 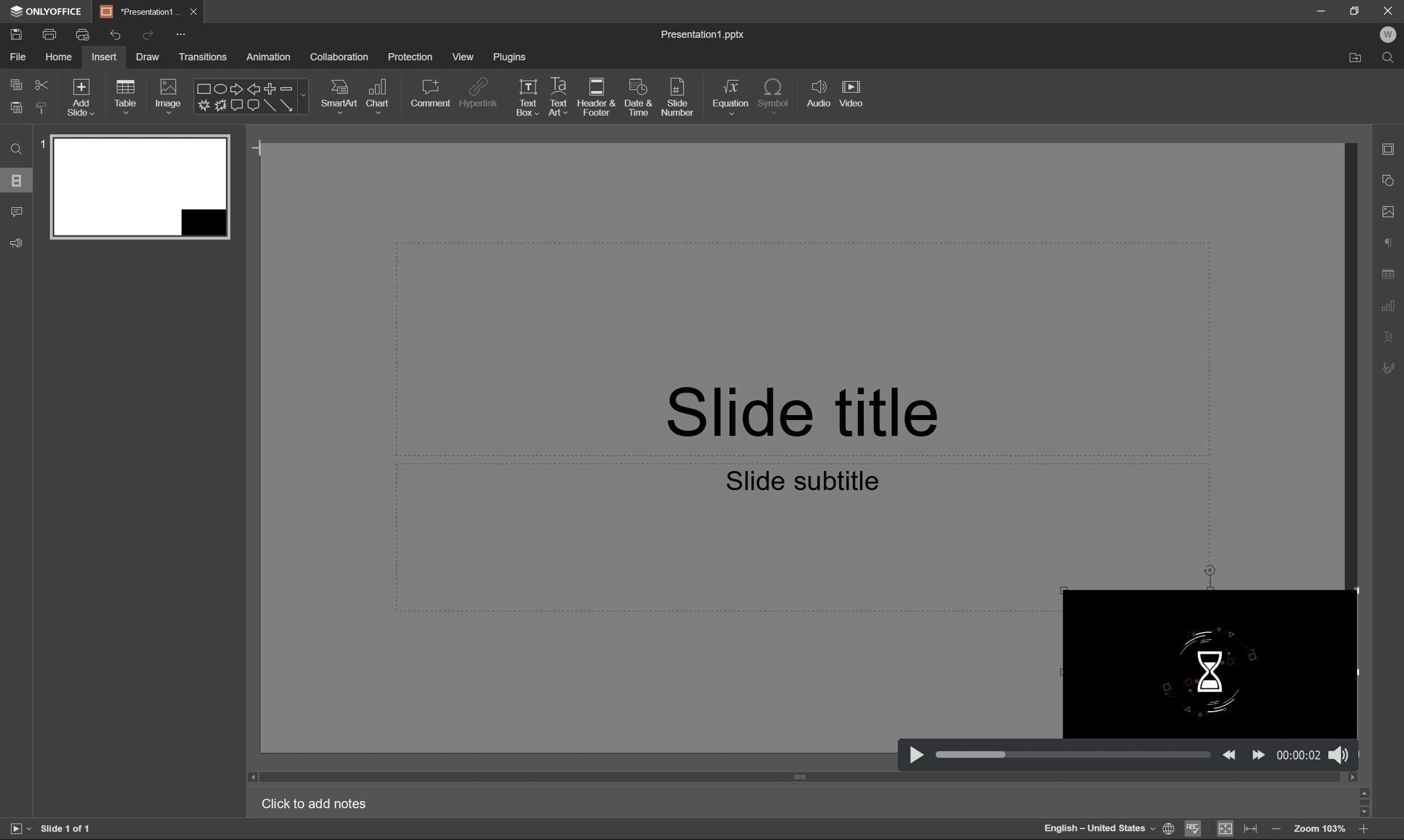 I want to click on header & footer, so click(x=597, y=98).